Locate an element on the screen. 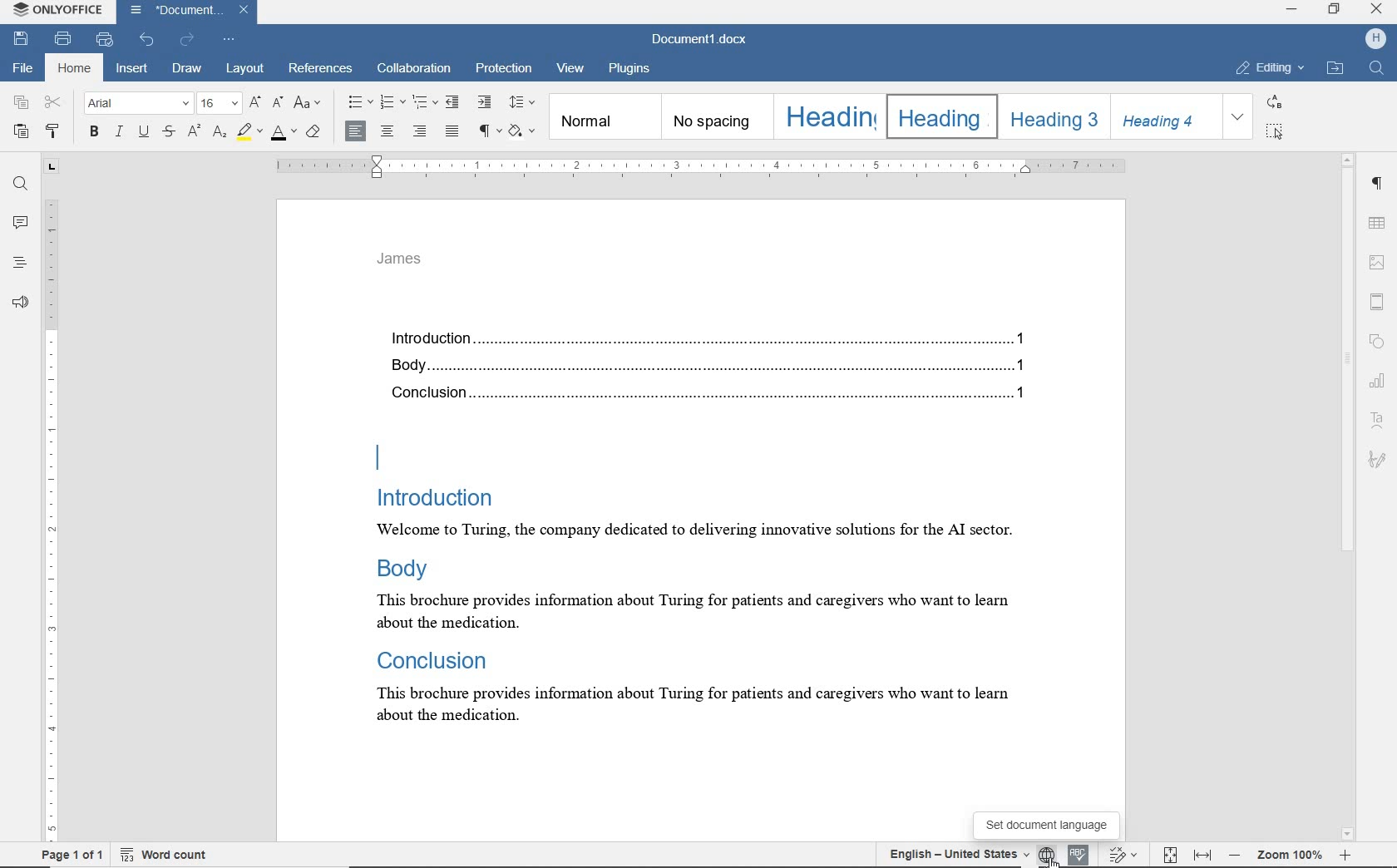 This screenshot has width=1397, height=868. change case is located at coordinates (310, 104).